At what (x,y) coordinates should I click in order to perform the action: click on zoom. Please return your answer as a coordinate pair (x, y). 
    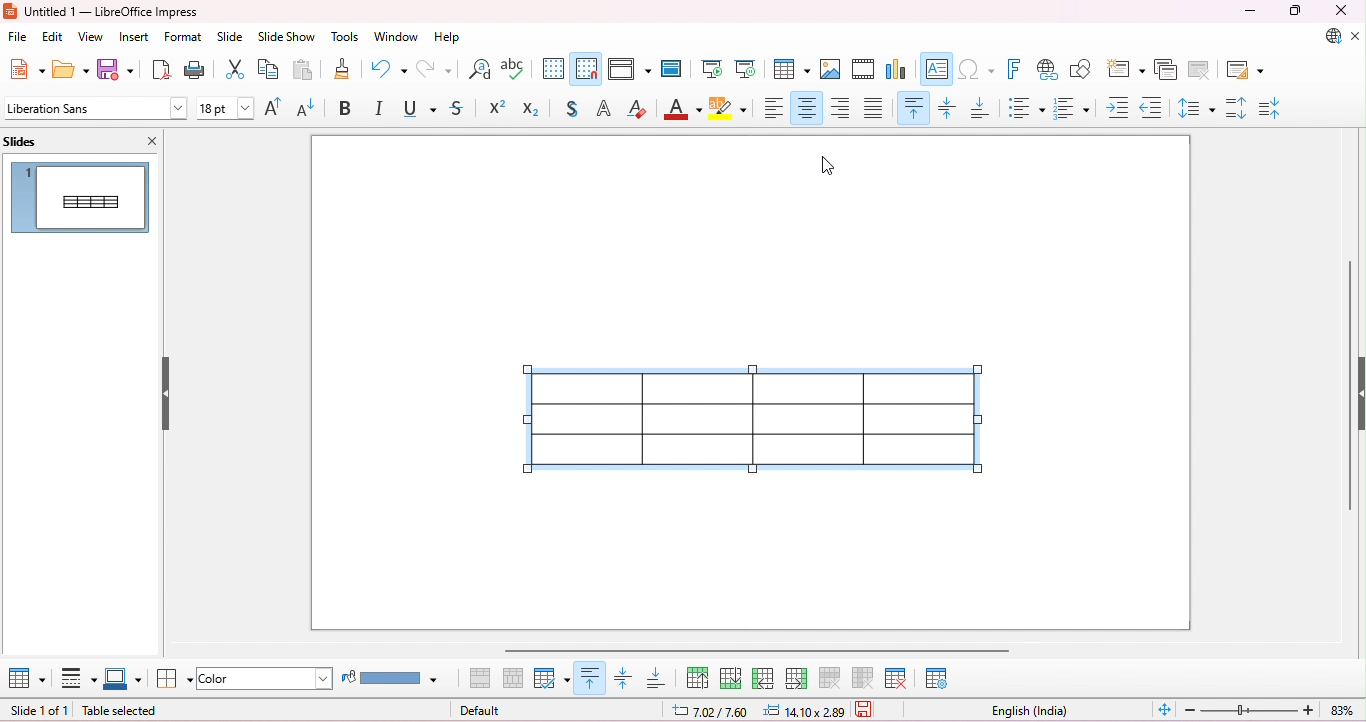
    Looking at the image, I should click on (1271, 710).